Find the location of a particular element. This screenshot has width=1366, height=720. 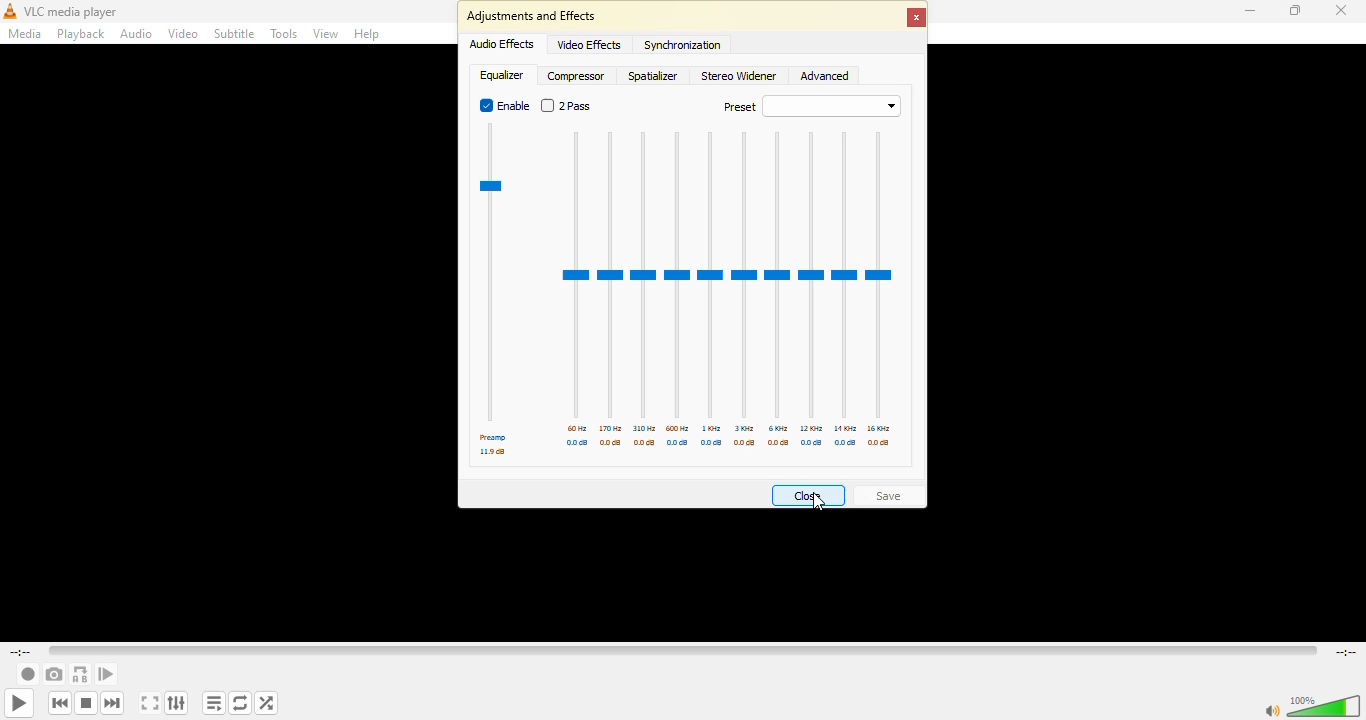

1 khz is located at coordinates (712, 428).